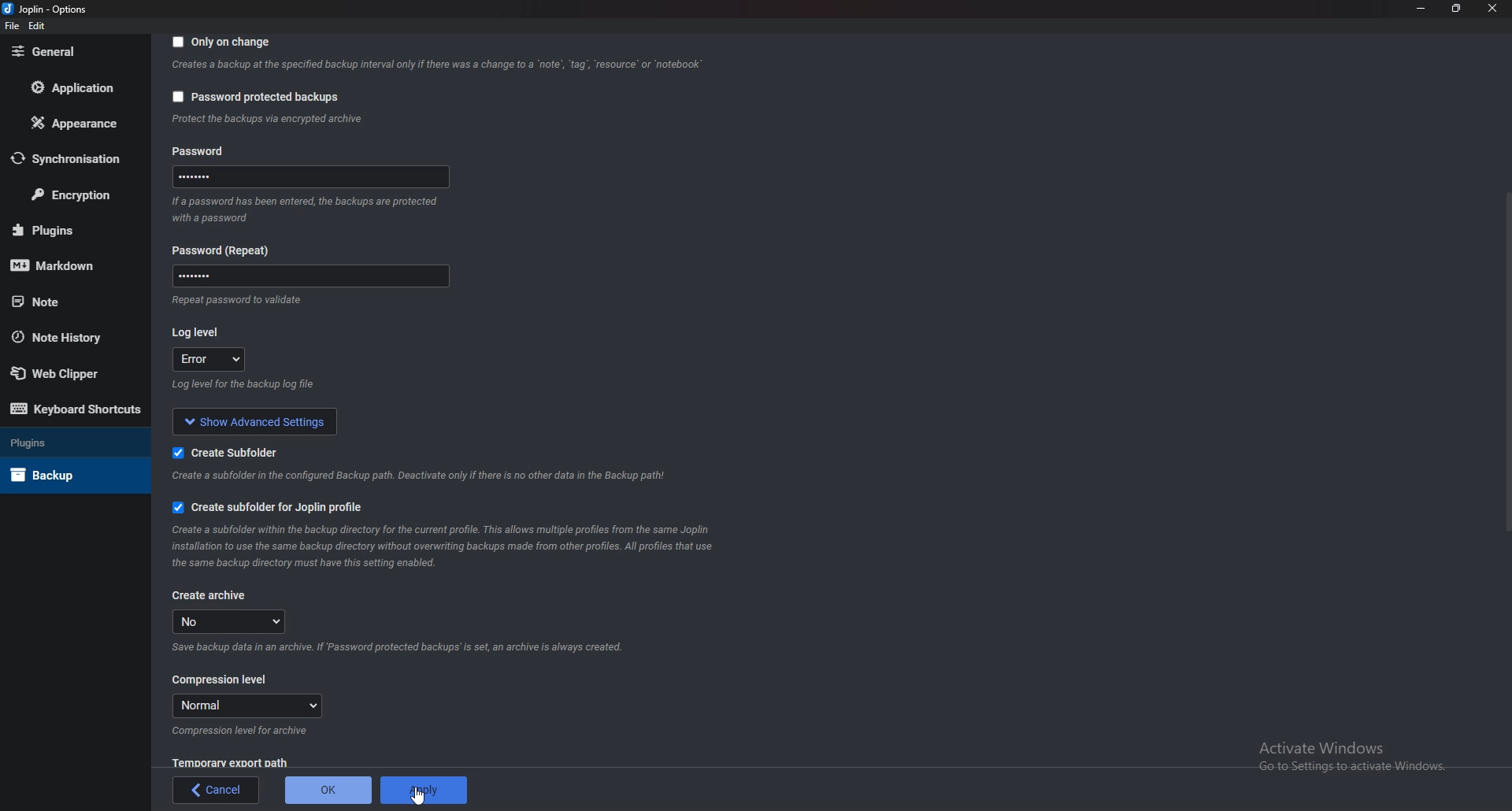 Image resolution: width=1512 pixels, height=811 pixels. What do you see at coordinates (328, 791) in the screenshot?
I see `O K` at bounding box center [328, 791].